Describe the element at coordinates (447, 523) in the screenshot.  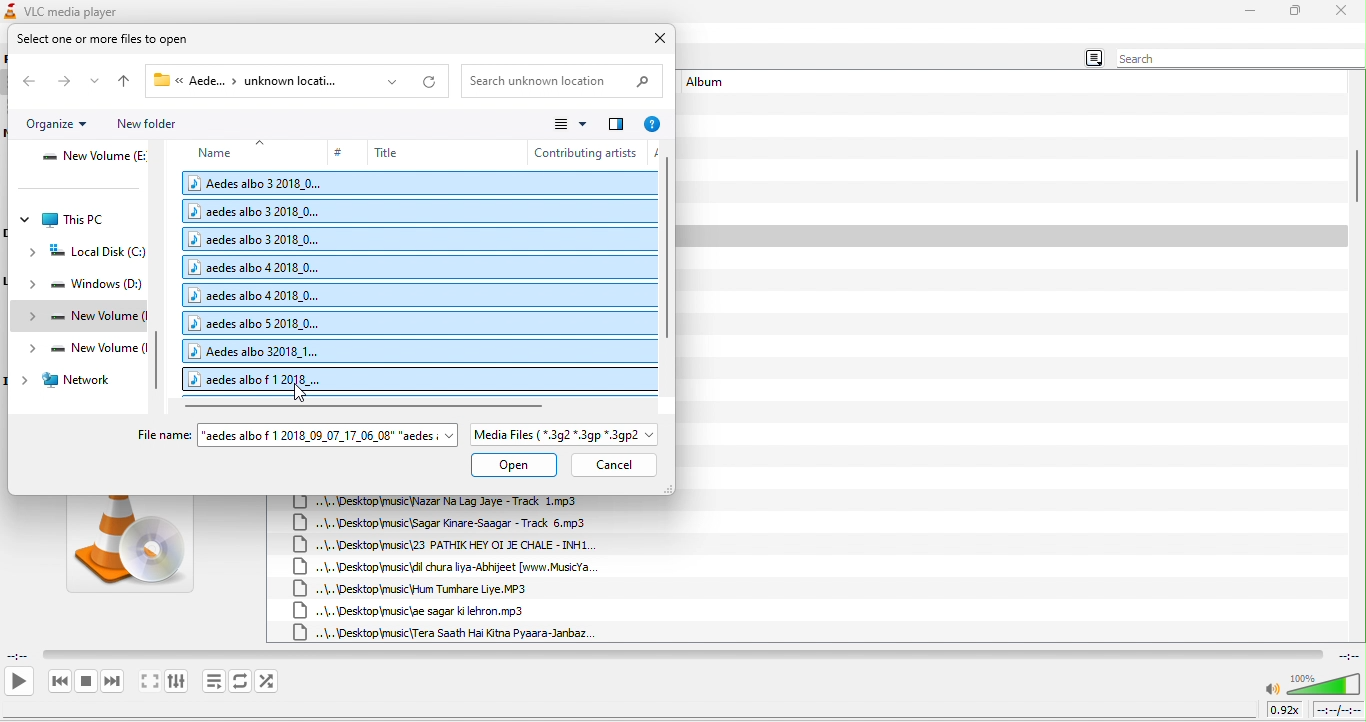
I see `..\..\Desktop\music\Sagar Kinare-Saagar - Track 6,mp3` at that location.